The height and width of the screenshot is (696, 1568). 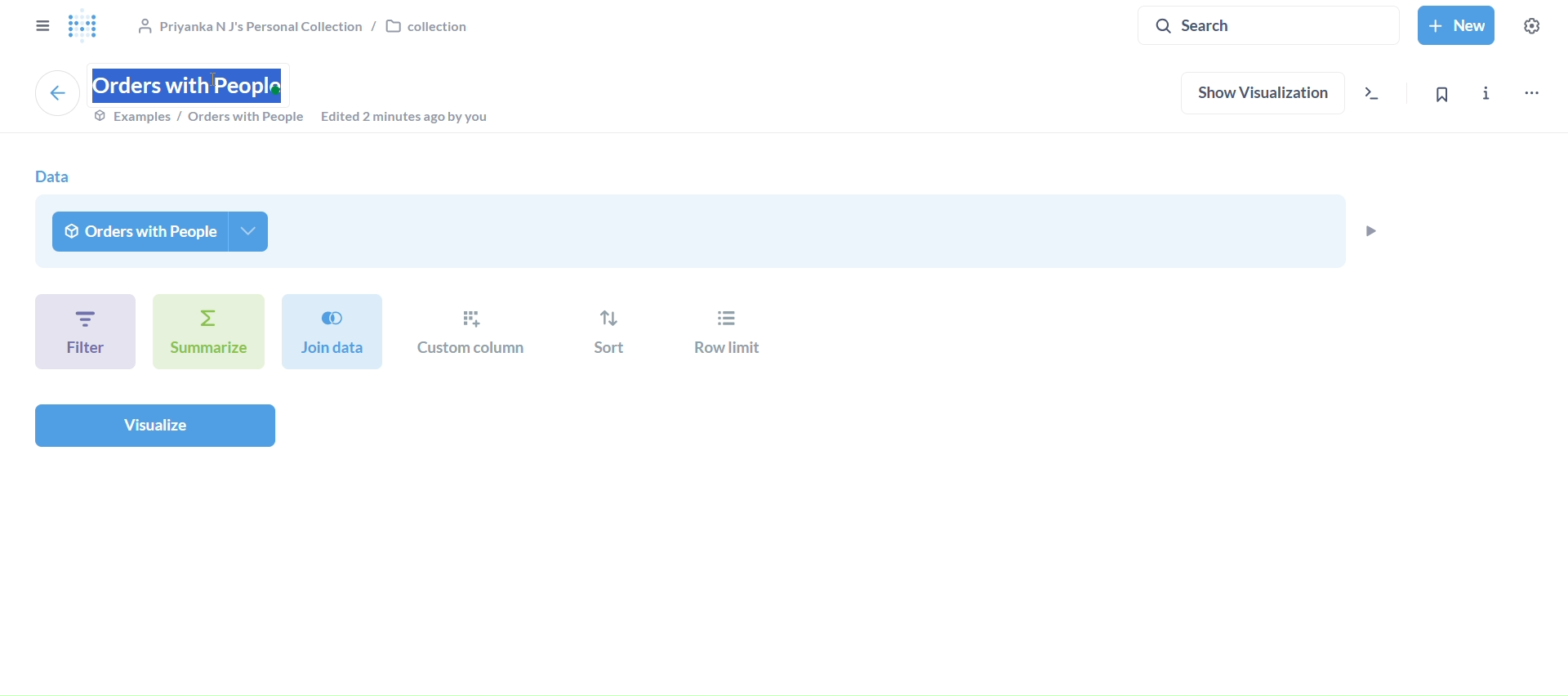 What do you see at coordinates (52, 176) in the screenshot?
I see `data` at bounding box center [52, 176].